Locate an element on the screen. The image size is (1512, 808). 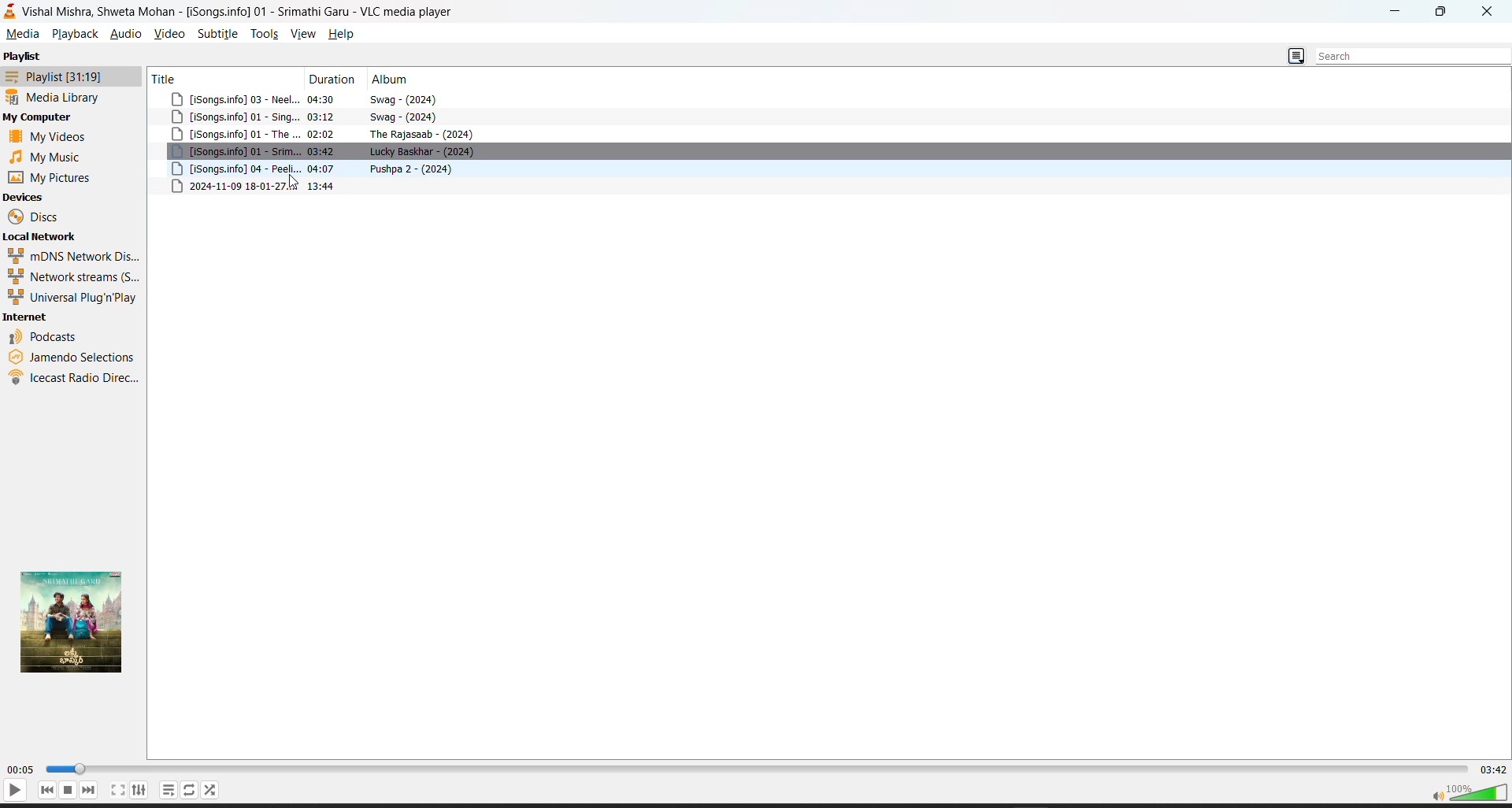
help is located at coordinates (348, 35).